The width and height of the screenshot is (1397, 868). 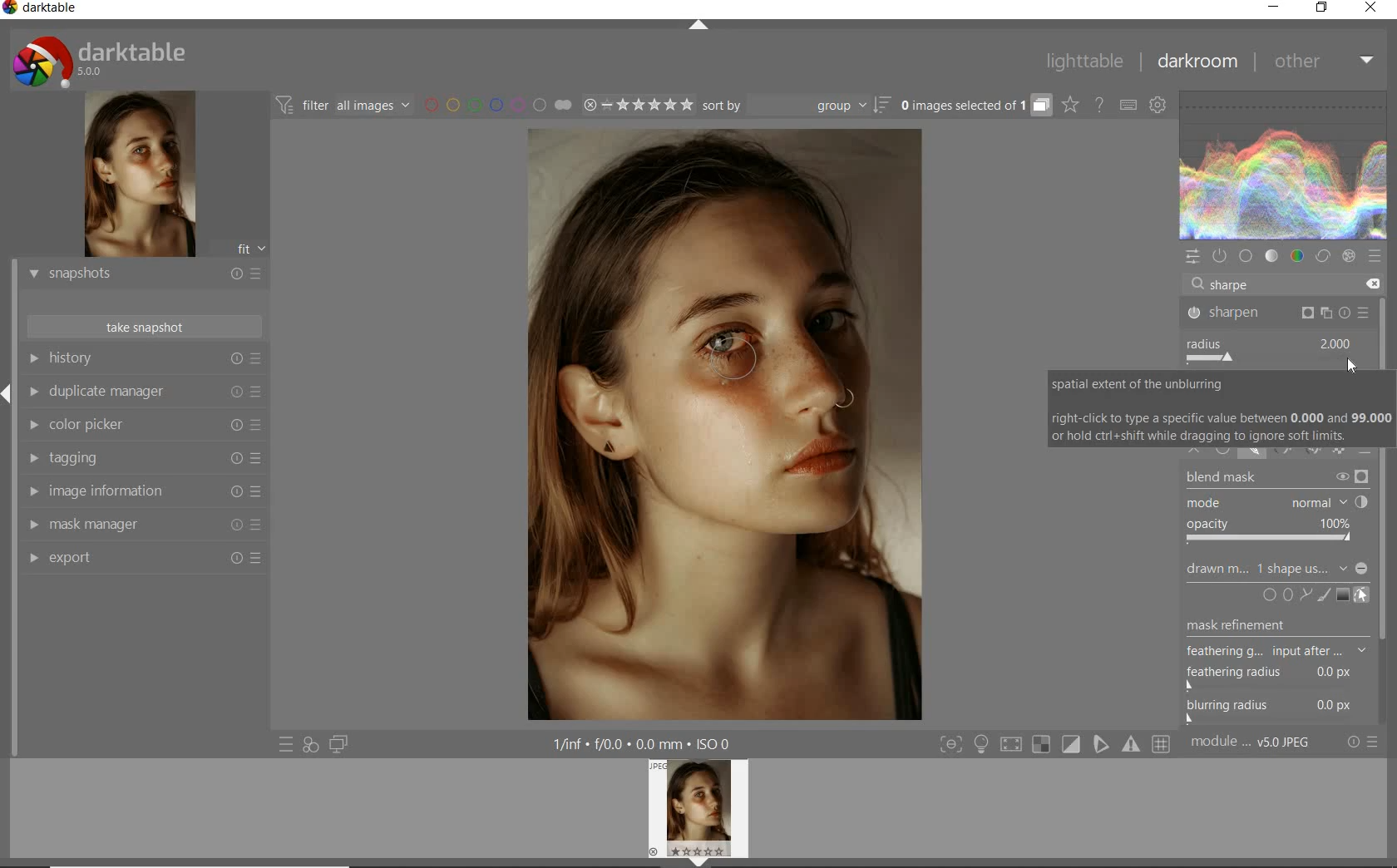 What do you see at coordinates (1292, 453) in the screenshot?
I see `MASK OPTIONS` at bounding box center [1292, 453].